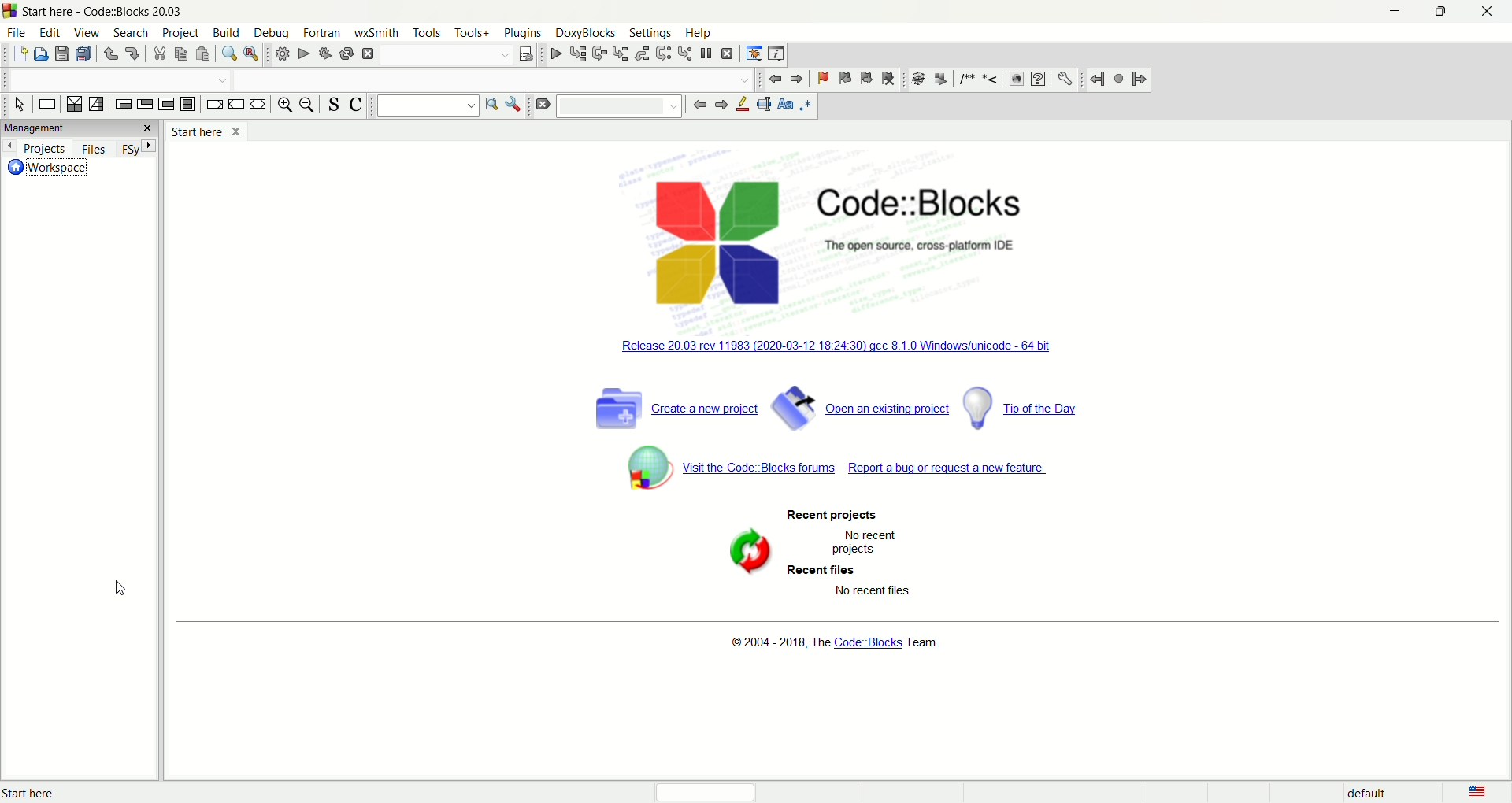  Describe the element at coordinates (868, 642) in the screenshot. I see `` at that location.